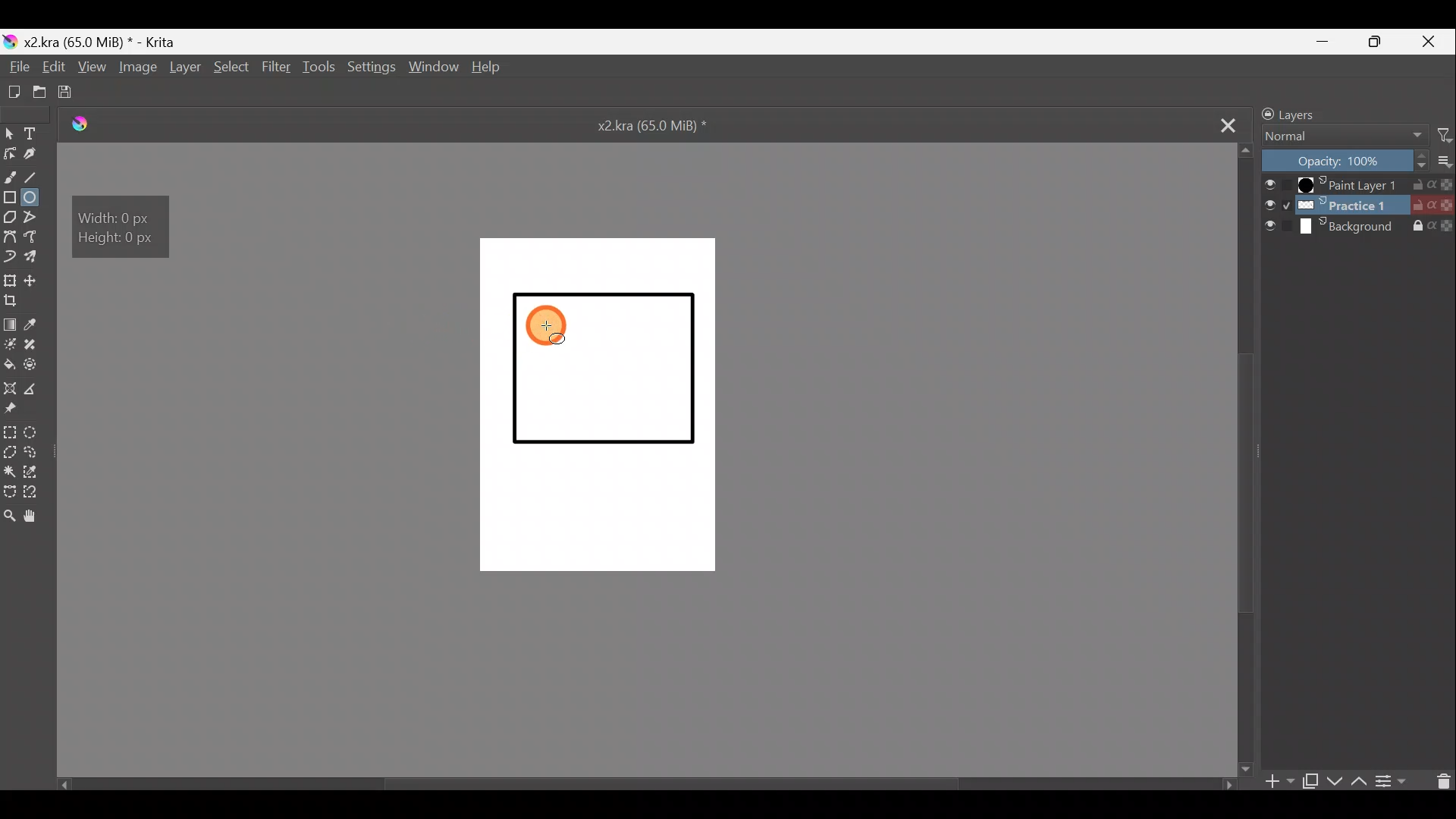 Image resolution: width=1456 pixels, height=819 pixels. What do you see at coordinates (9, 40) in the screenshot?
I see `Krita logo` at bounding box center [9, 40].